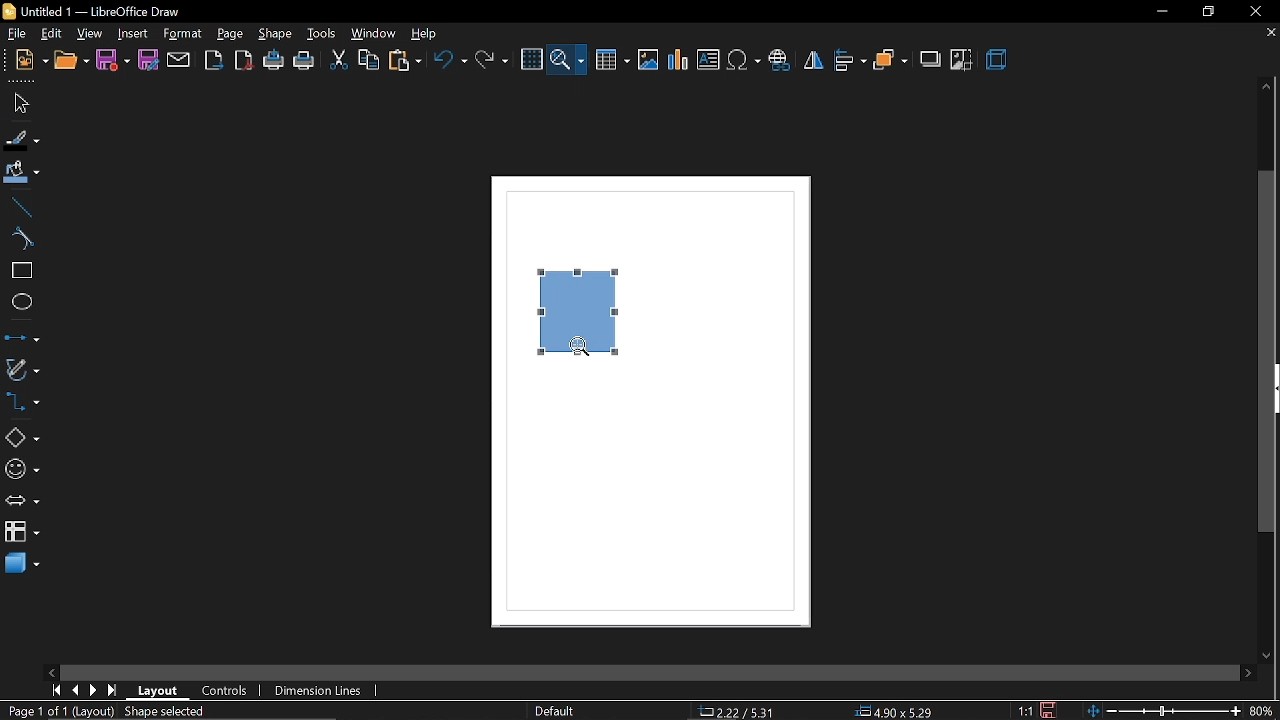 Image resolution: width=1280 pixels, height=720 pixels. I want to click on ellipse, so click(18, 302).